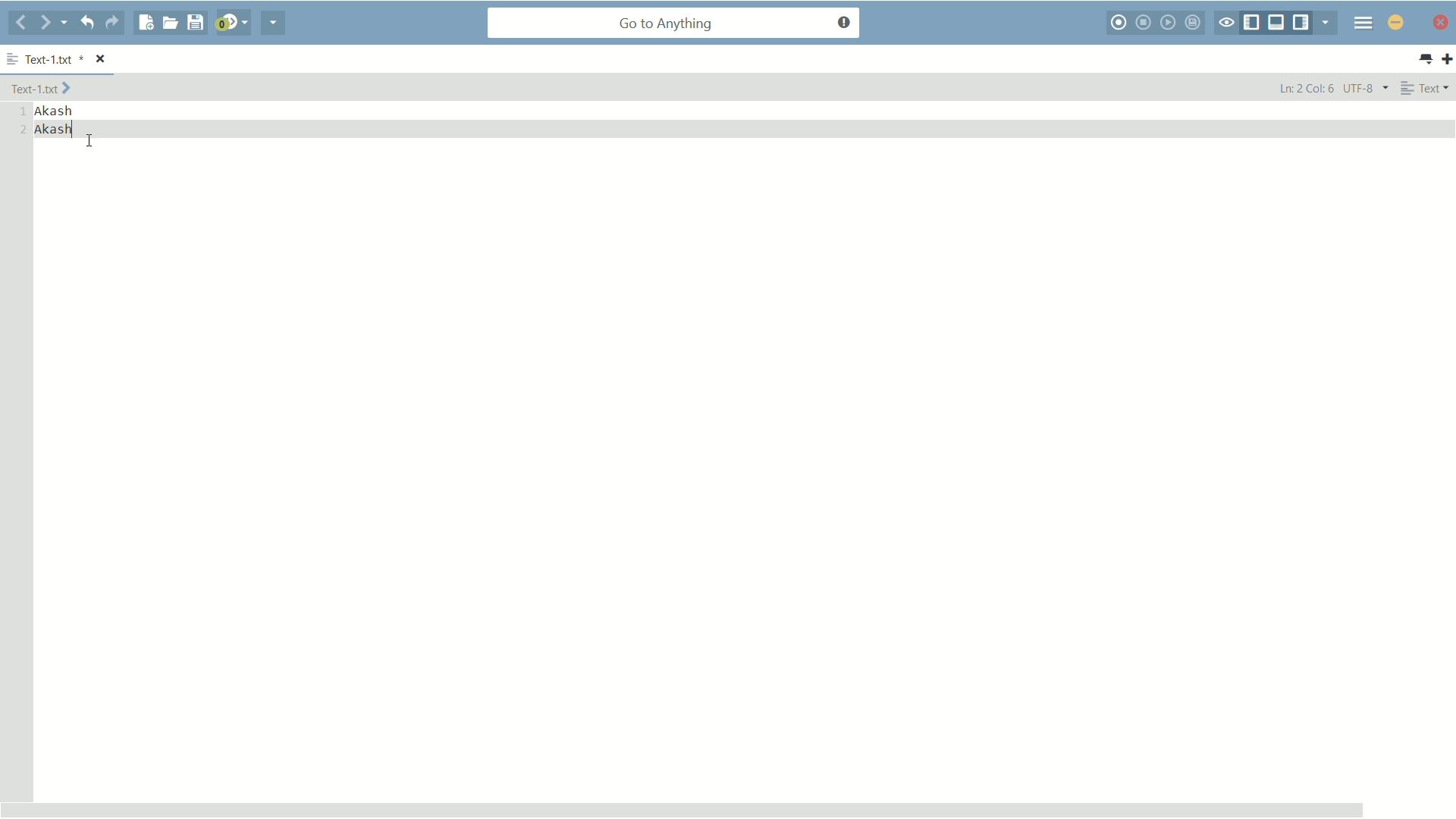 The width and height of the screenshot is (1456, 819). Describe the element at coordinates (682, 808) in the screenshot. I see `horizontal scroll bar` at that location.